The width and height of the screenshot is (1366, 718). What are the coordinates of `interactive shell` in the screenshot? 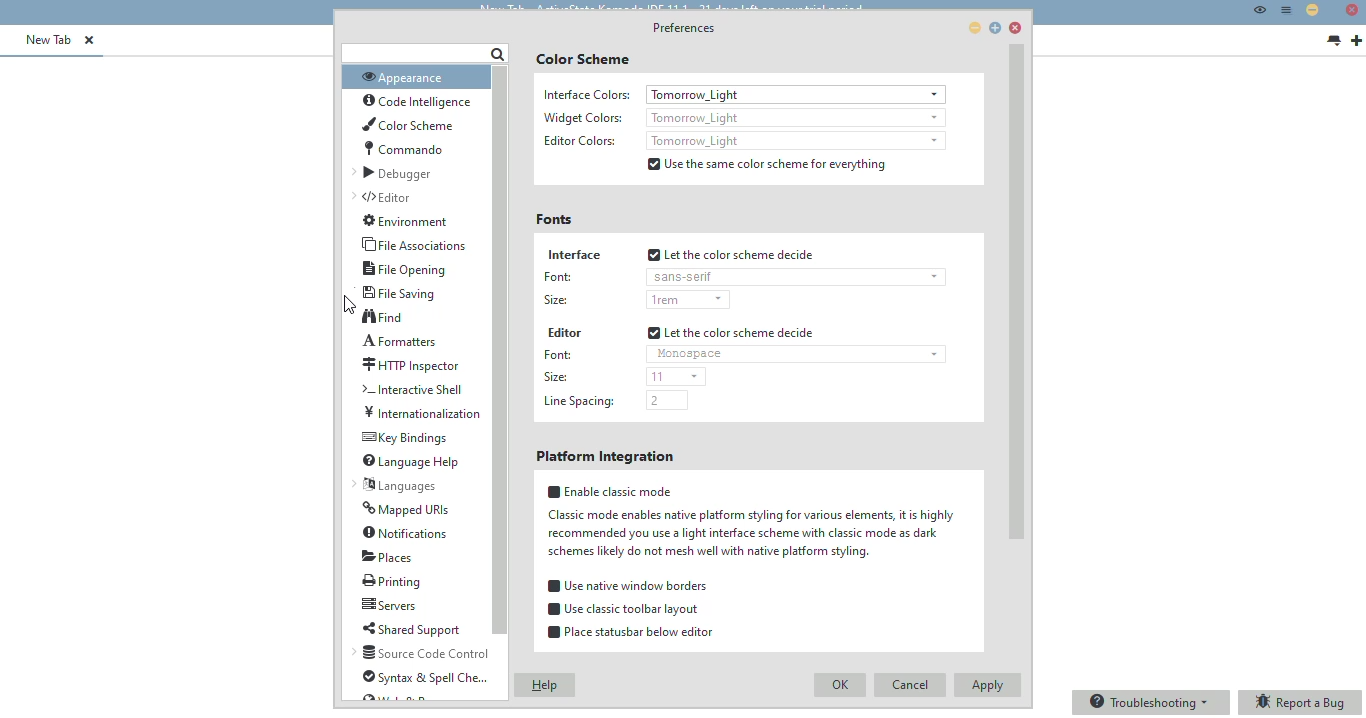 It's located at (410, 390).